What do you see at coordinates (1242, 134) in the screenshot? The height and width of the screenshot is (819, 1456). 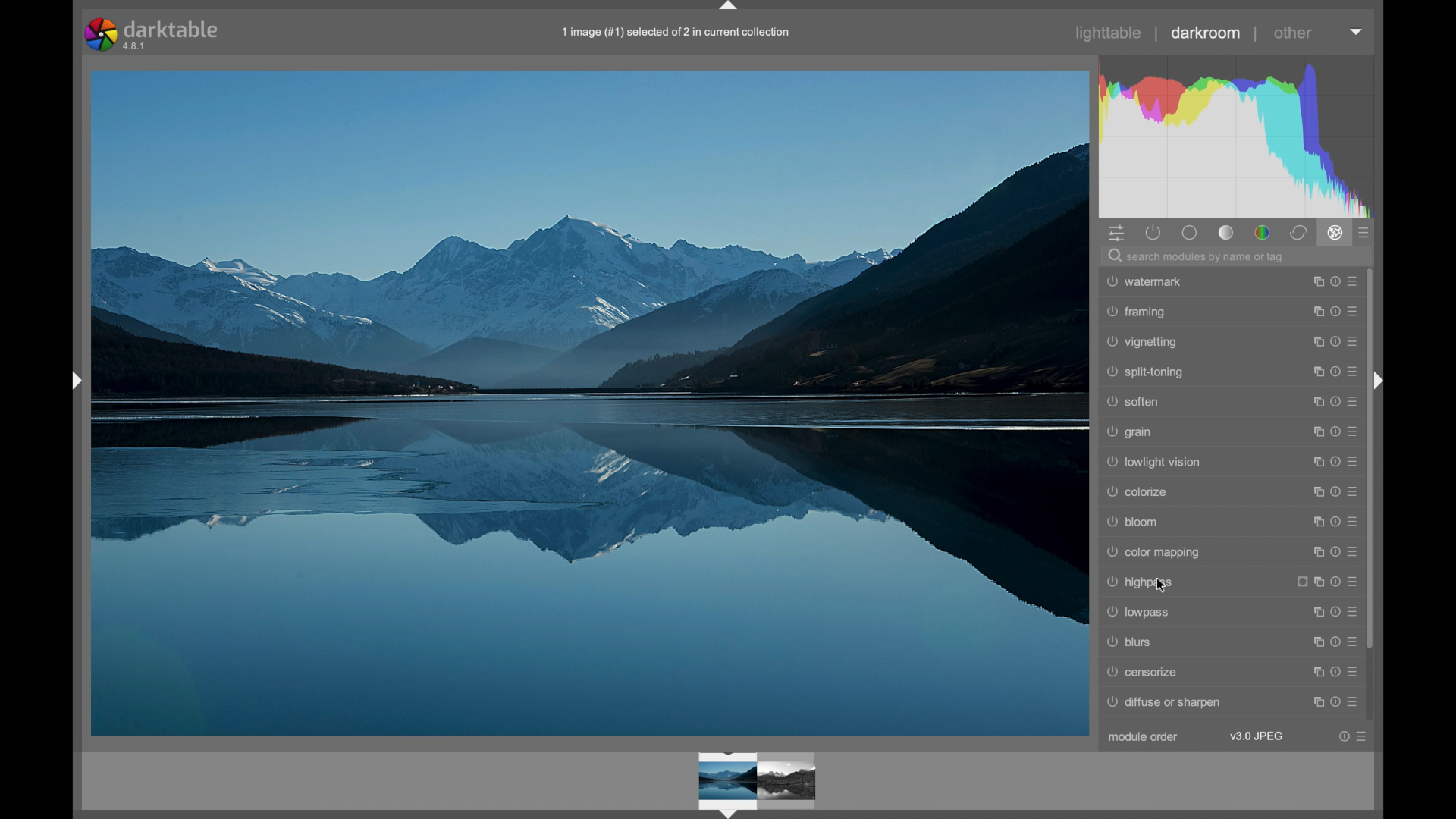 I see `histogram` at bounding box center [1242, 134].